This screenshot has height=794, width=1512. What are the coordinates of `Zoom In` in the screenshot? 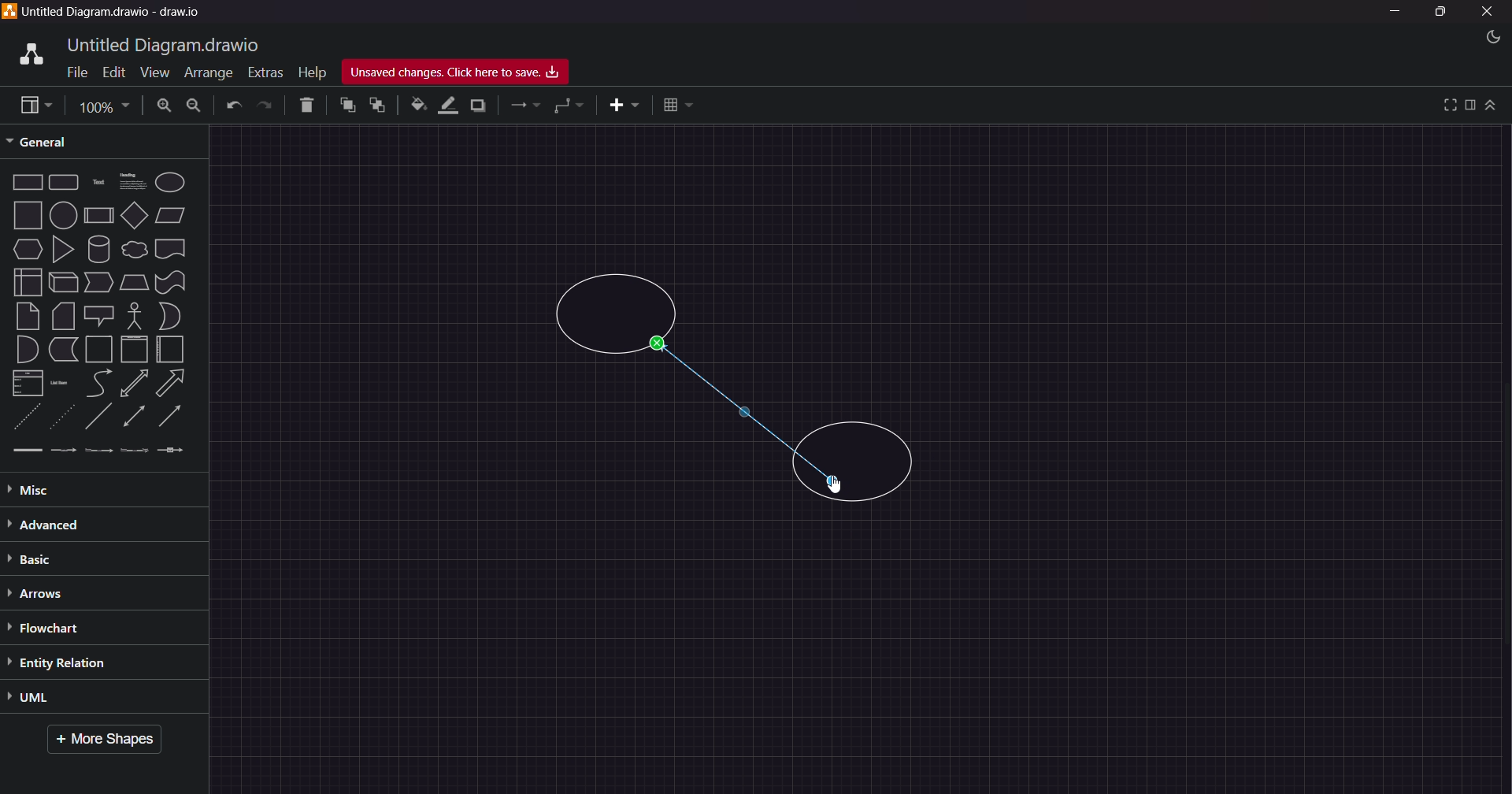 It's located at (165, 105).